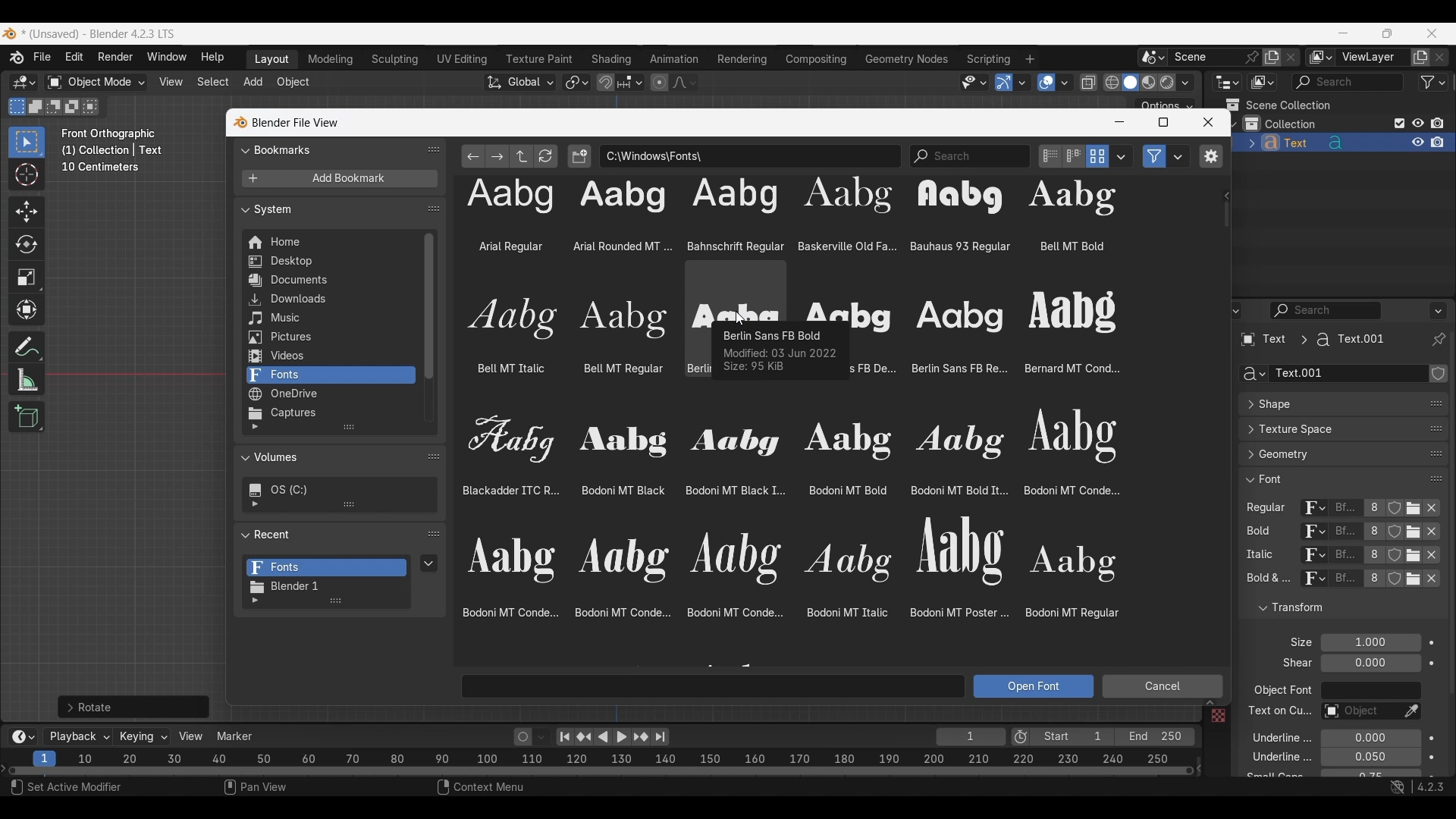 The width and height of the screenshot is (1456, 819). What do you see at coordinates (742, 58) in the screenshot?
I see `Rendering workspace` at bounding box center [742, 58].